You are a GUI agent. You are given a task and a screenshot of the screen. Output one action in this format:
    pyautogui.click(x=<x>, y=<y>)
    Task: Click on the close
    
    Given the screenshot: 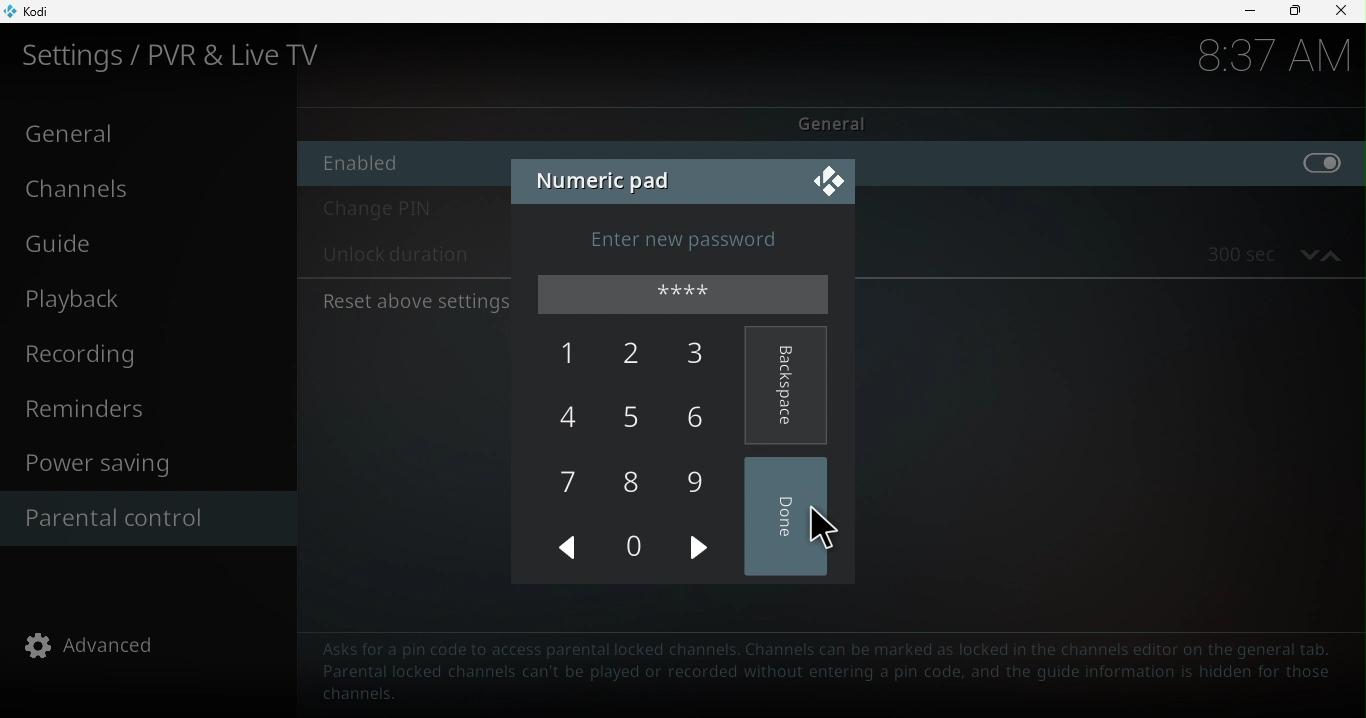 What is the action you would take?
    pyautogui.click(x=1344, y=13)
    